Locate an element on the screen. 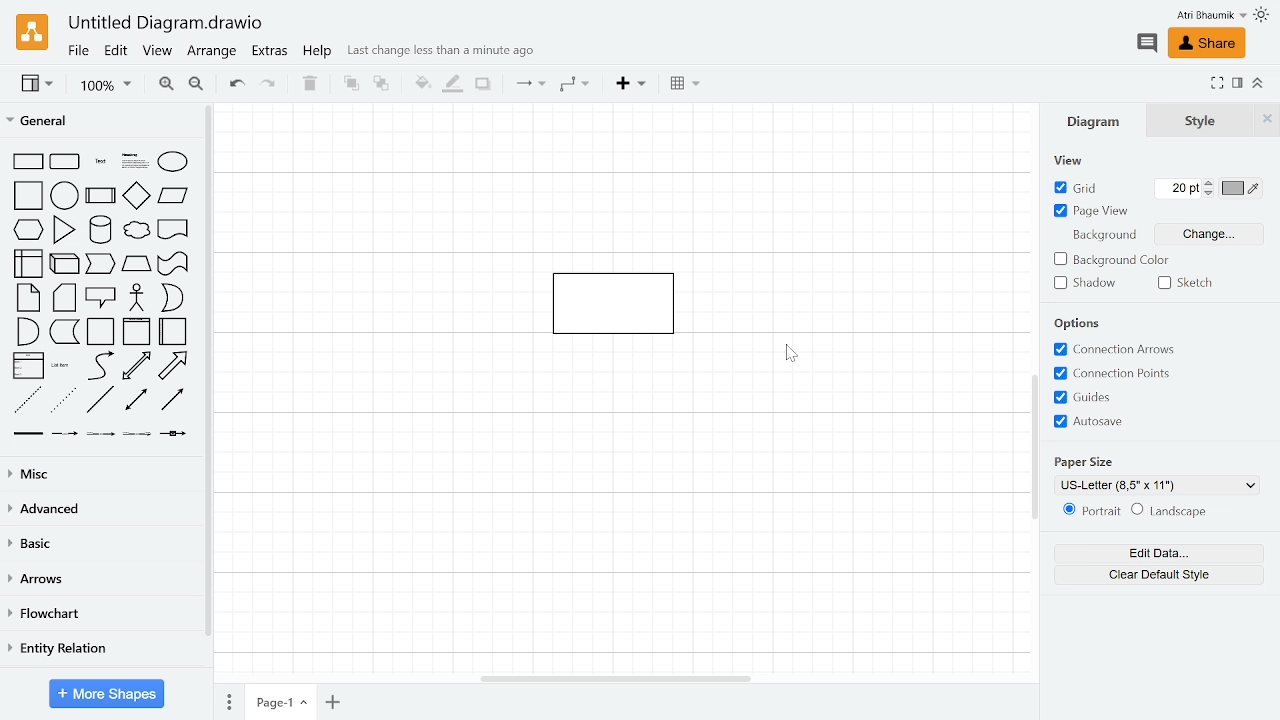 This screenshot has height=720, width=1280. Table is located at coordinates (686, 85).